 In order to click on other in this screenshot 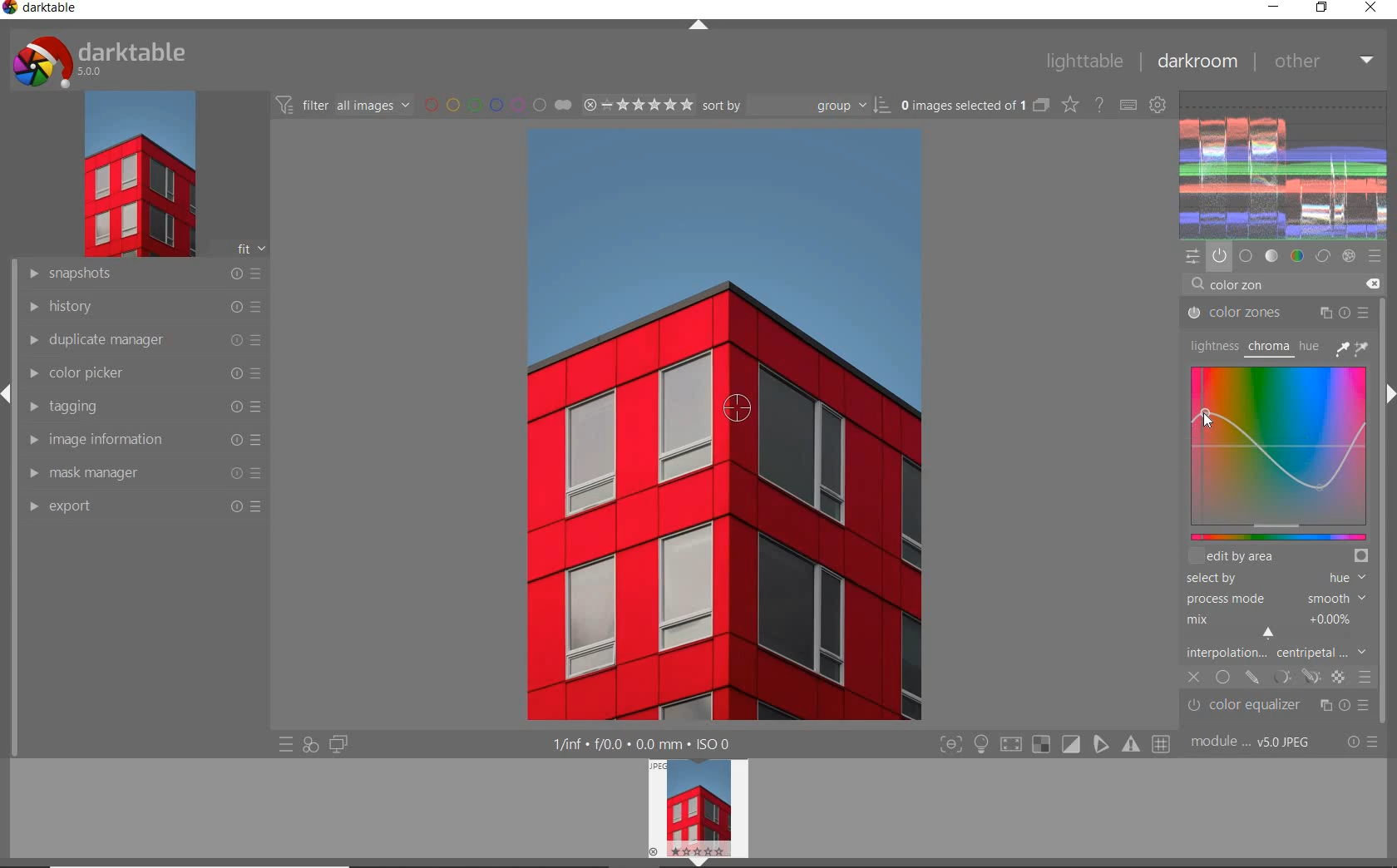, I will do `click(1324, 60)`.